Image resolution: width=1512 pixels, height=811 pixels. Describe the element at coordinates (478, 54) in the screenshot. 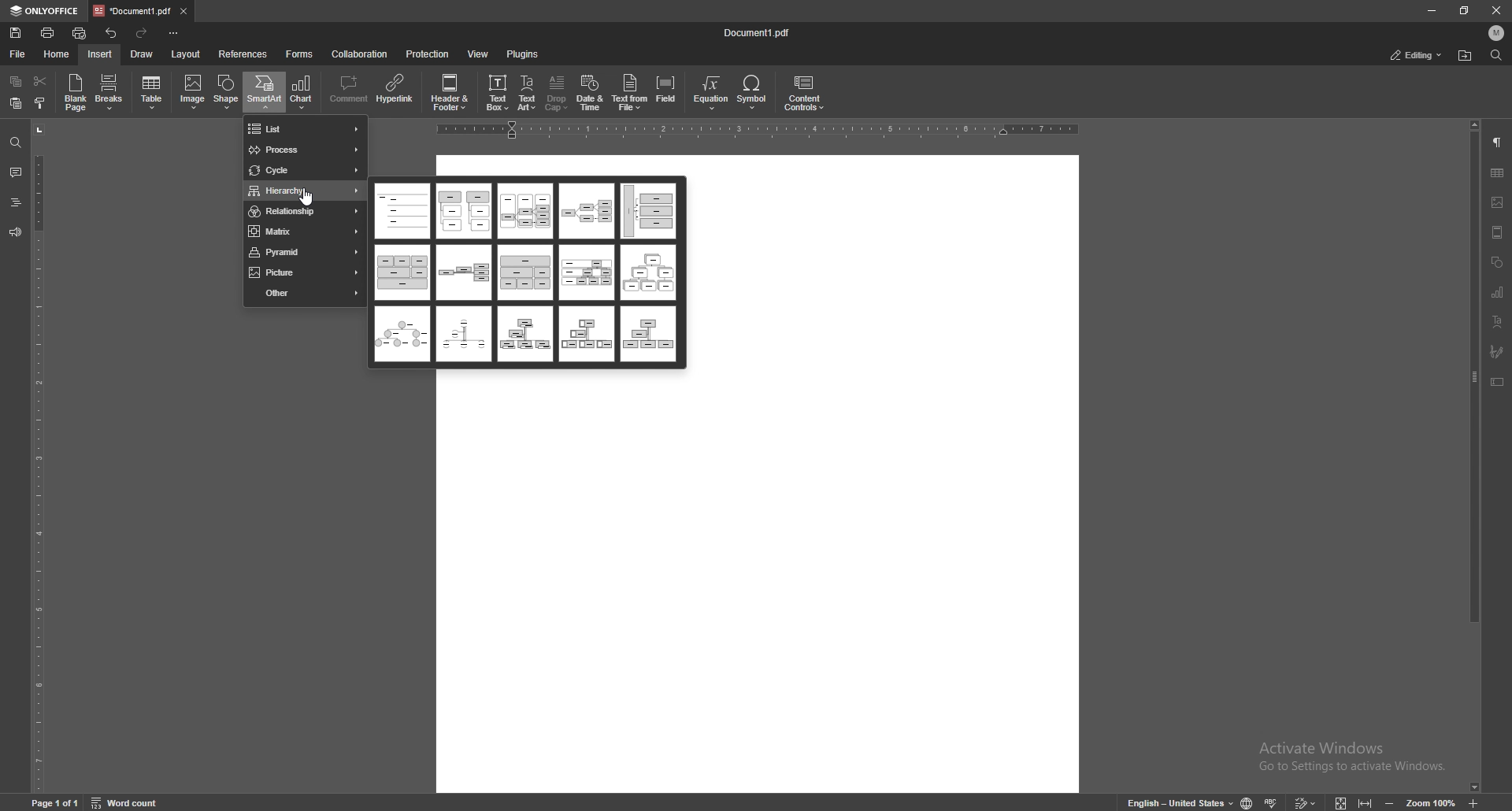

I see `view` at that location.